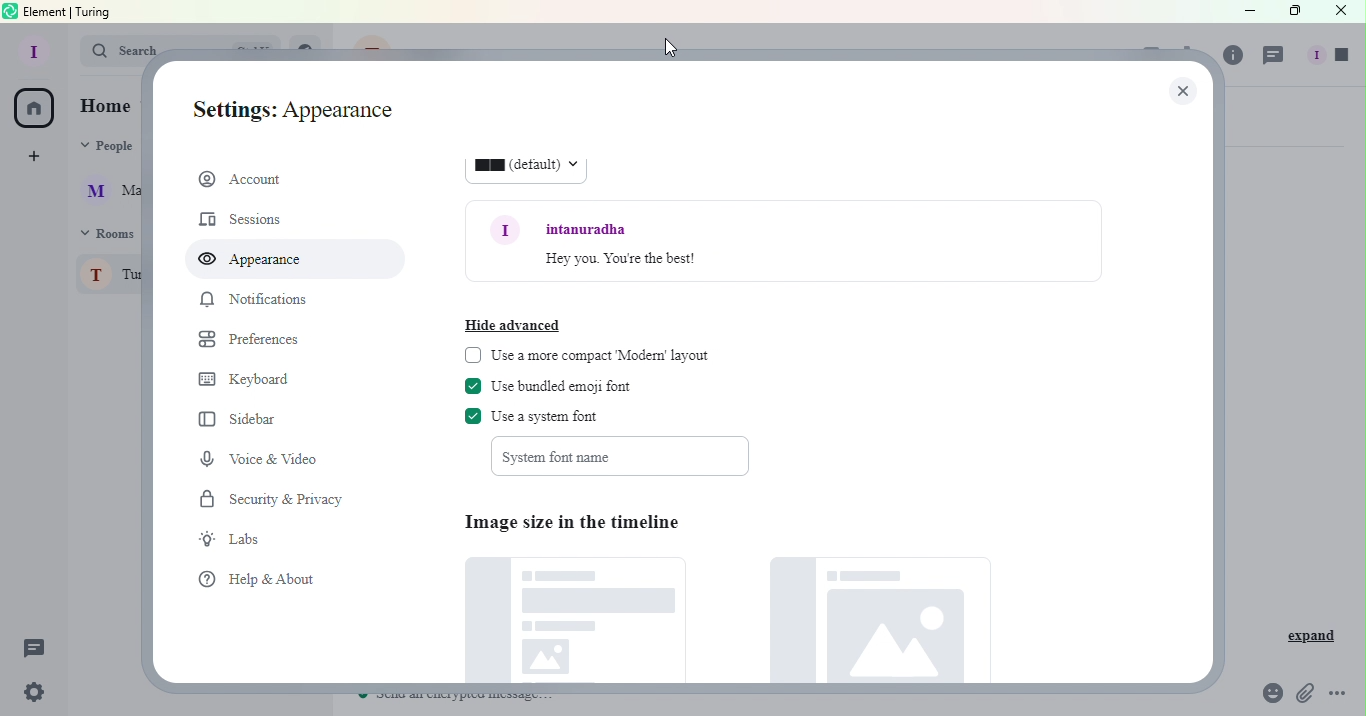  What do you see at coordinates (37, 110) in the screenshot?
I see `Home` at bounding box center [37, 110].